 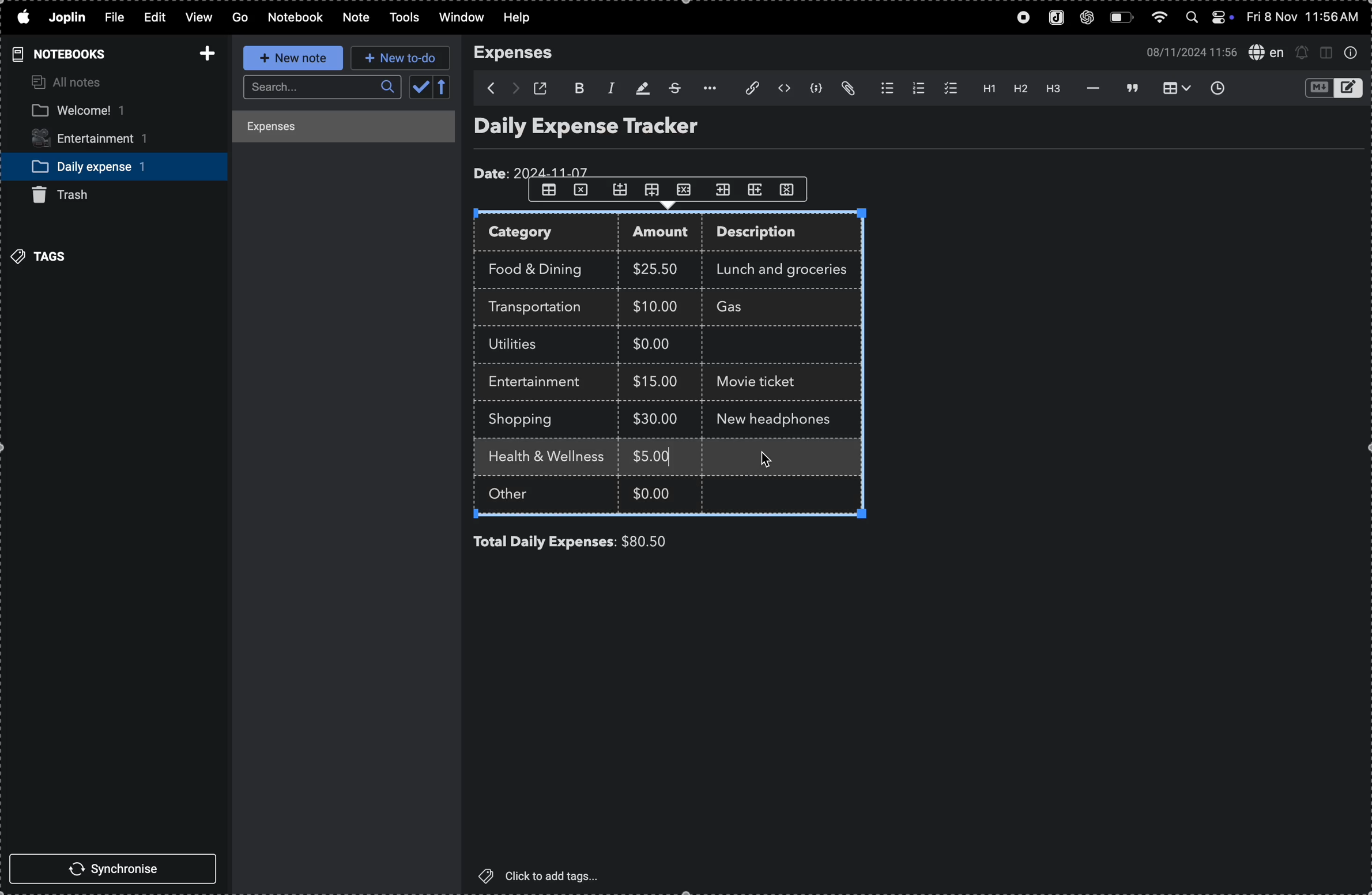 I want to click on other, so click(x=522, y=496).